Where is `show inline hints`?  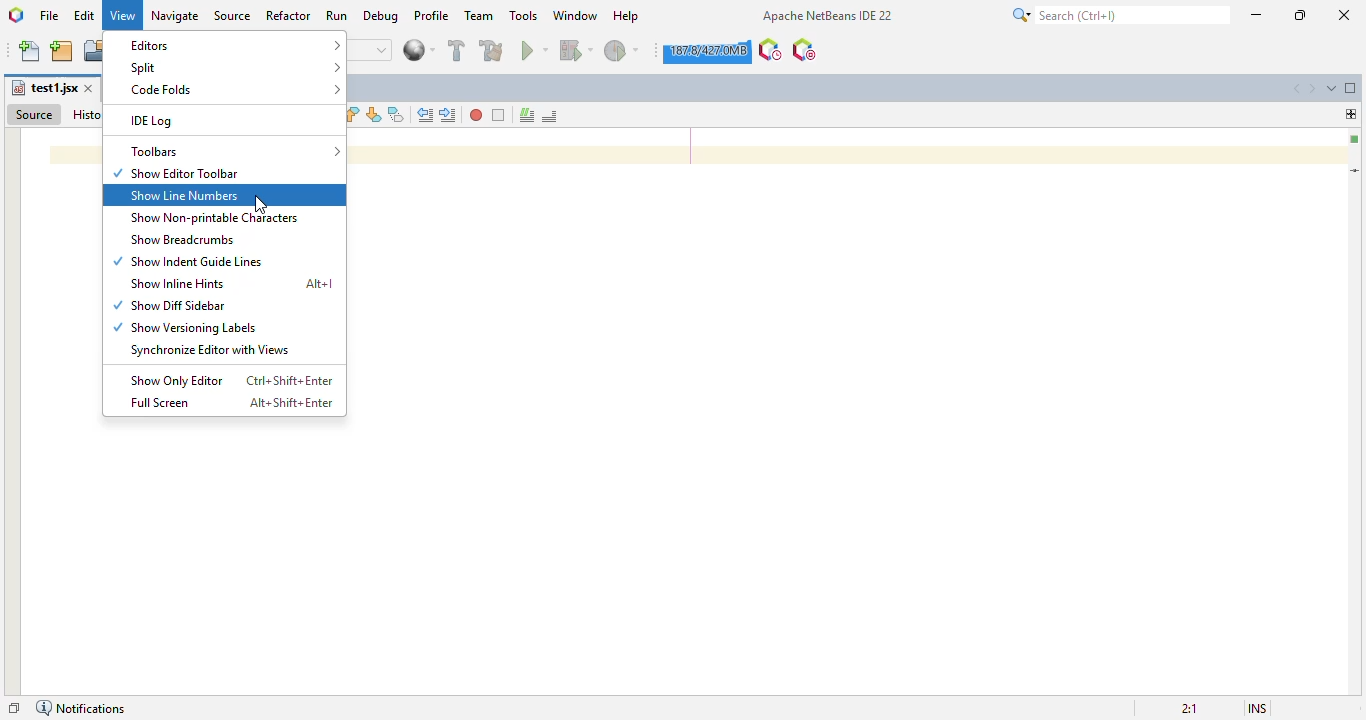
show inline hints is located at coordinates (173, 283).